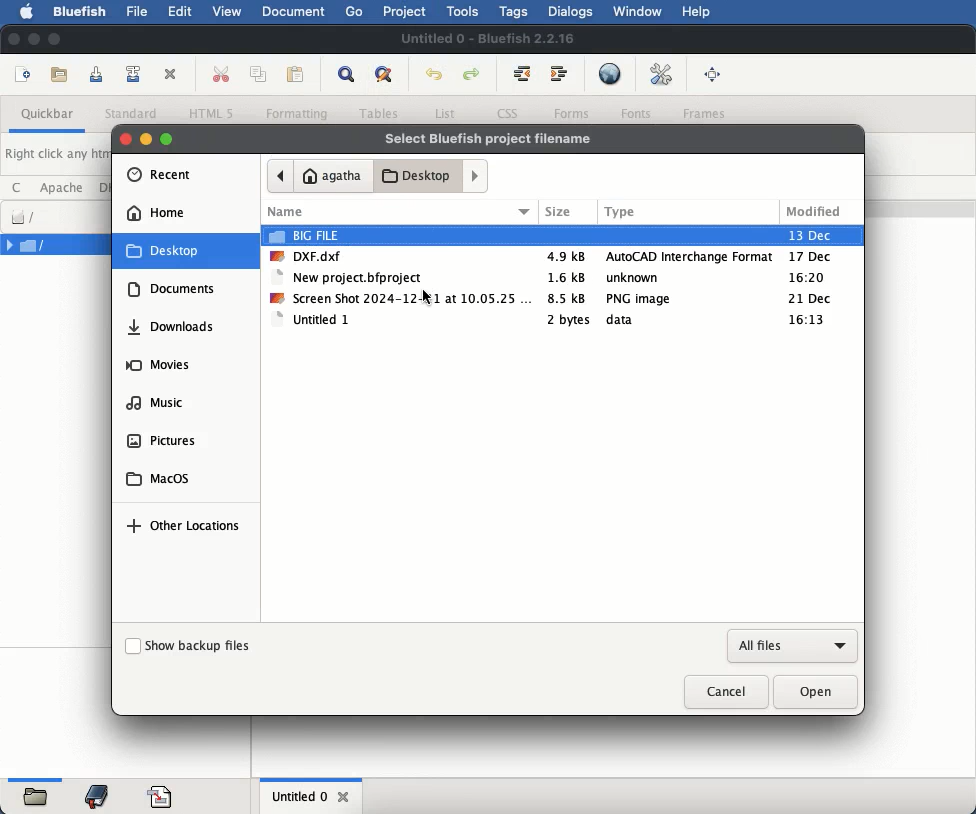  What do you see at coordinates (443, 114) in the screenshot?
I see `list` at bounding box center [443, 114].